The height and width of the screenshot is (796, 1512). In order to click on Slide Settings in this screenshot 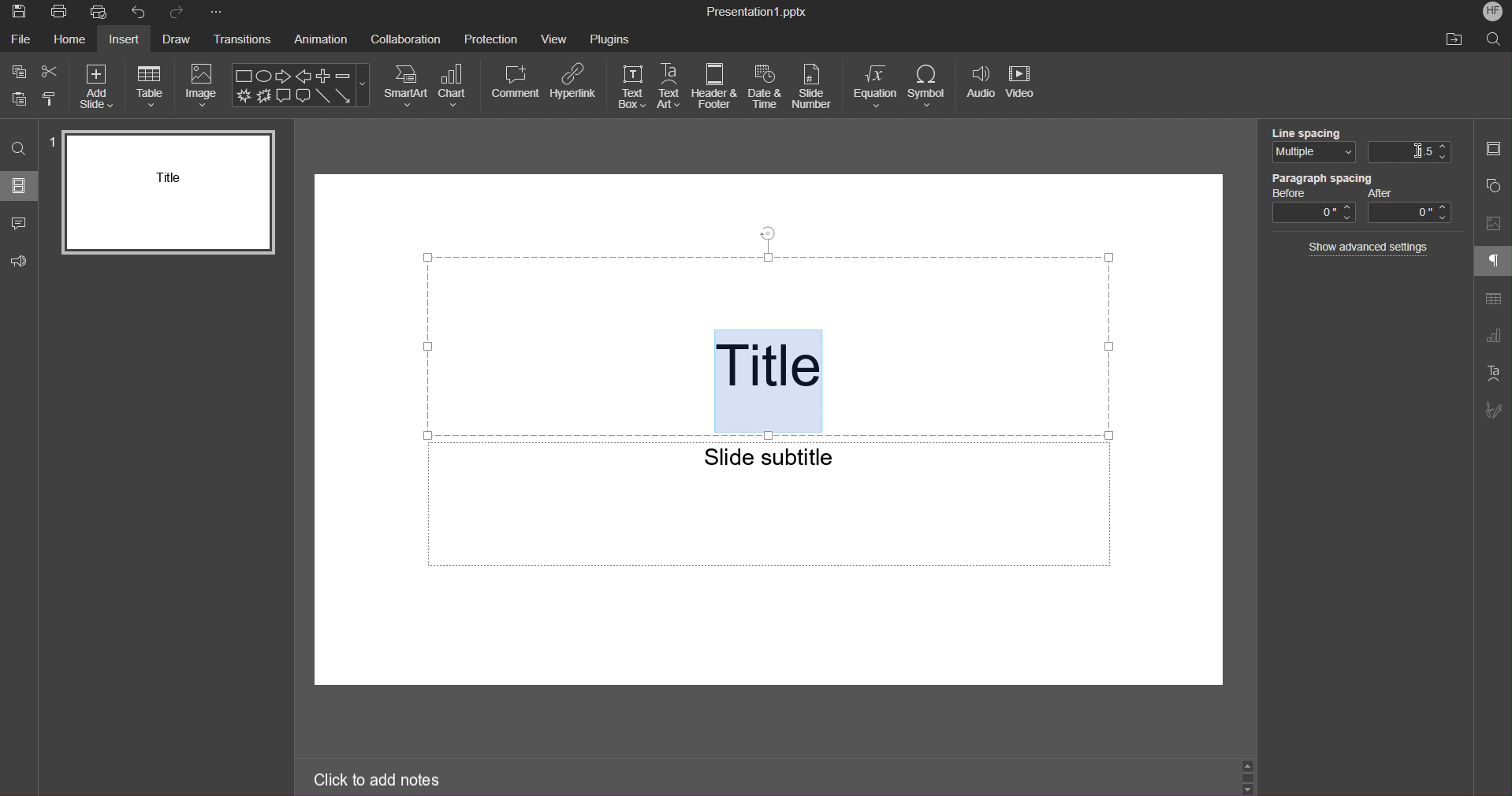, I will do `click(1493, 151)`.